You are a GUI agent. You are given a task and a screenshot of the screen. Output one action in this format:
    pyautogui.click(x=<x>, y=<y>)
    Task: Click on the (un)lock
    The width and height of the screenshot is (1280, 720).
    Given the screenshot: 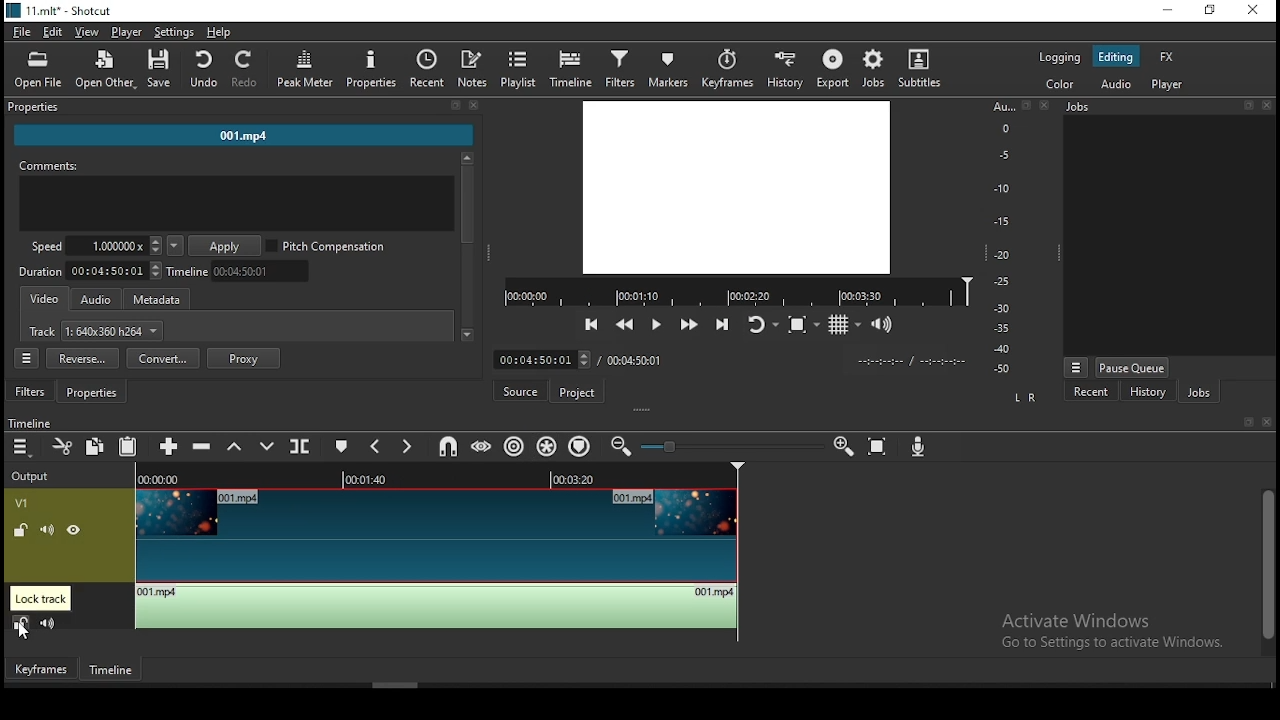 What is the action you would take?
    pyautogui.click(x=21, y=529)
    